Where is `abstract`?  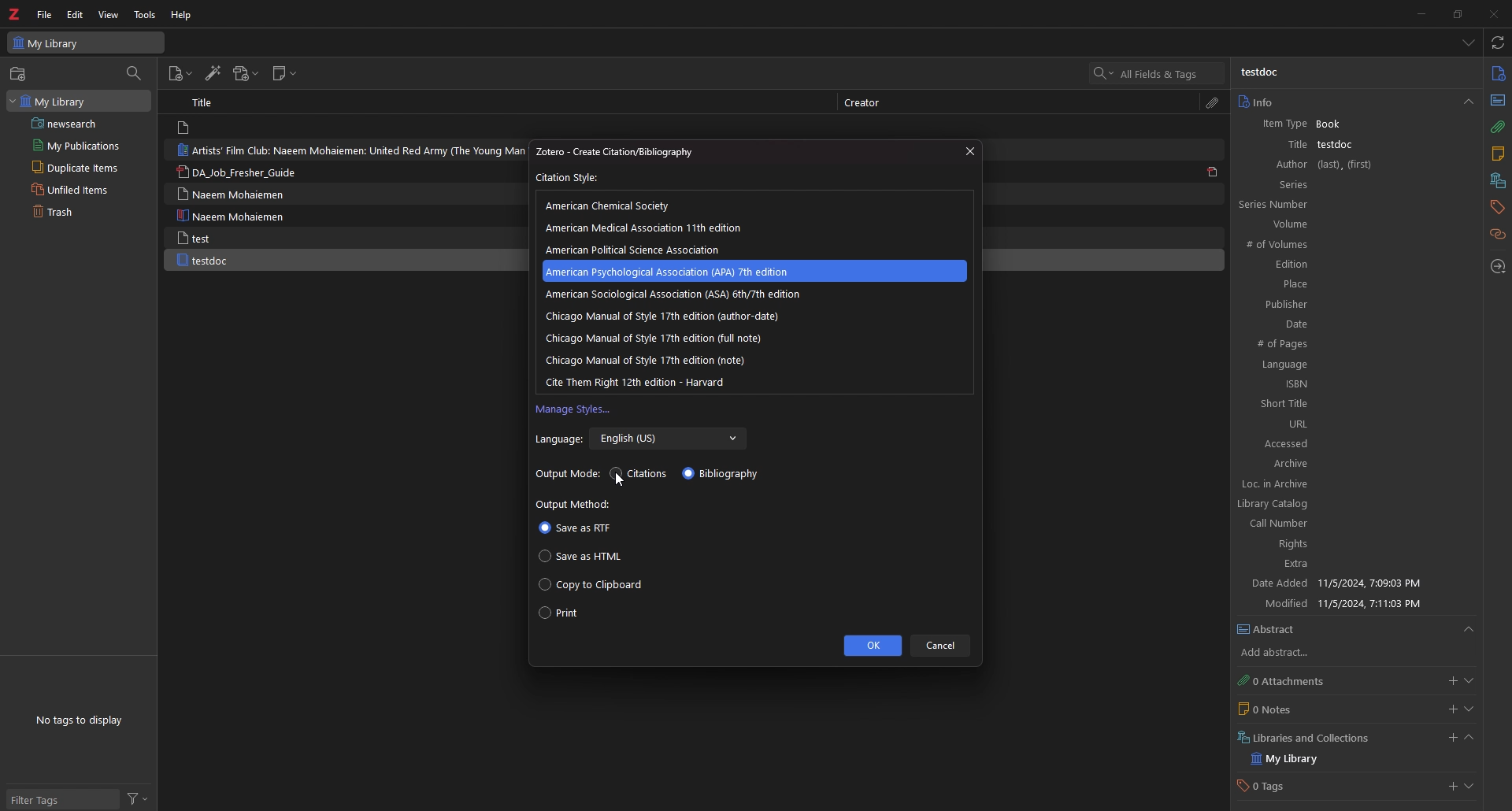
abstract is located at coordinates (1496, 99).